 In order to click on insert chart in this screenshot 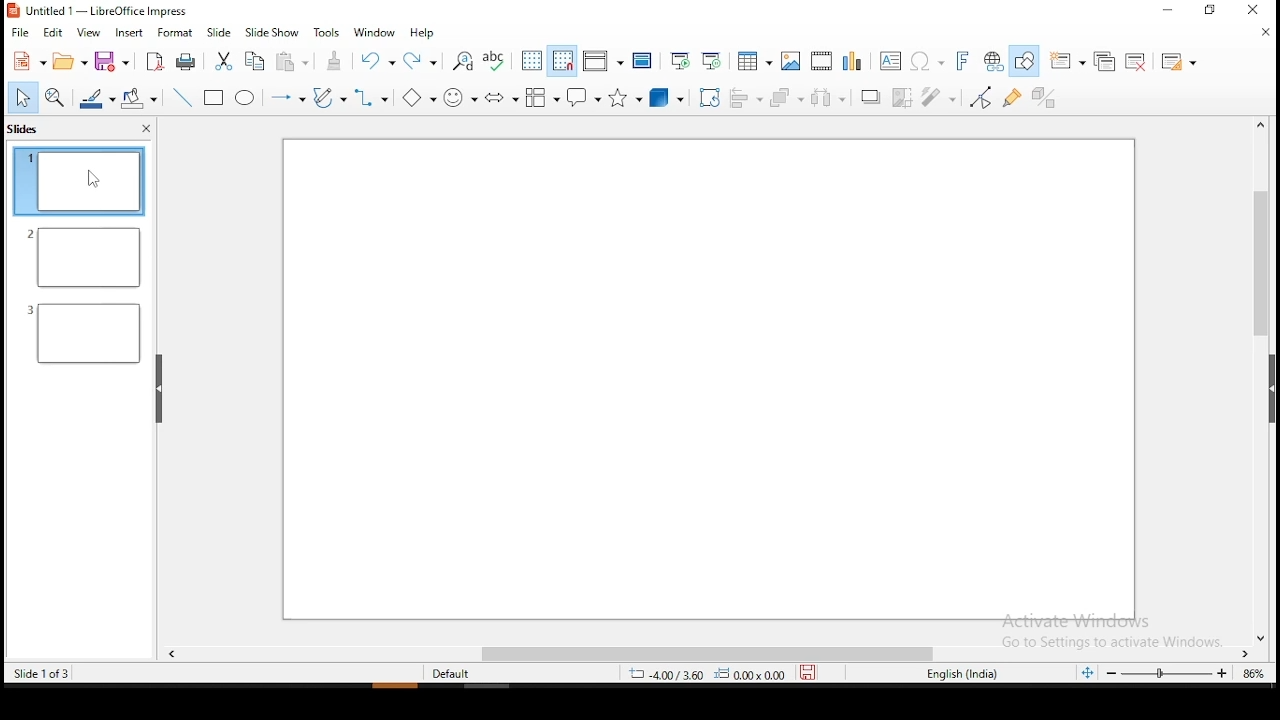, I will do `click(855, 60)`.